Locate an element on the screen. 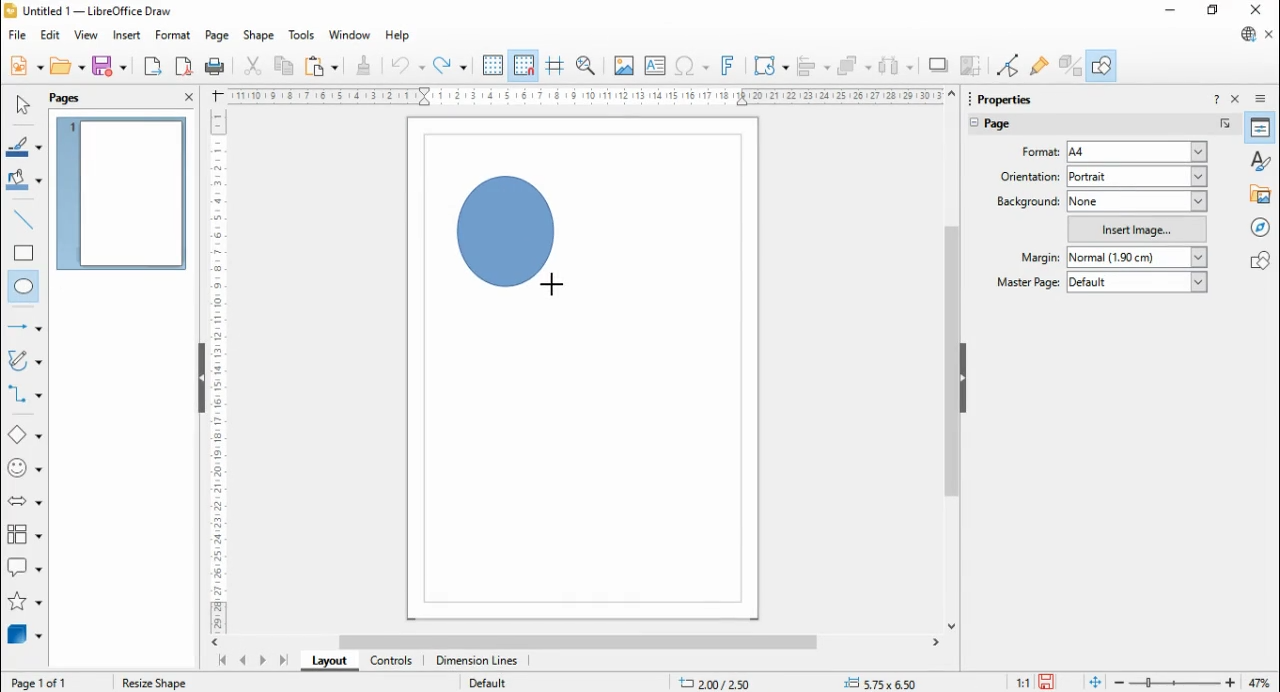 This screenshot has width=1280, height=692. curves and polygons is located at coordinates (26, 361).